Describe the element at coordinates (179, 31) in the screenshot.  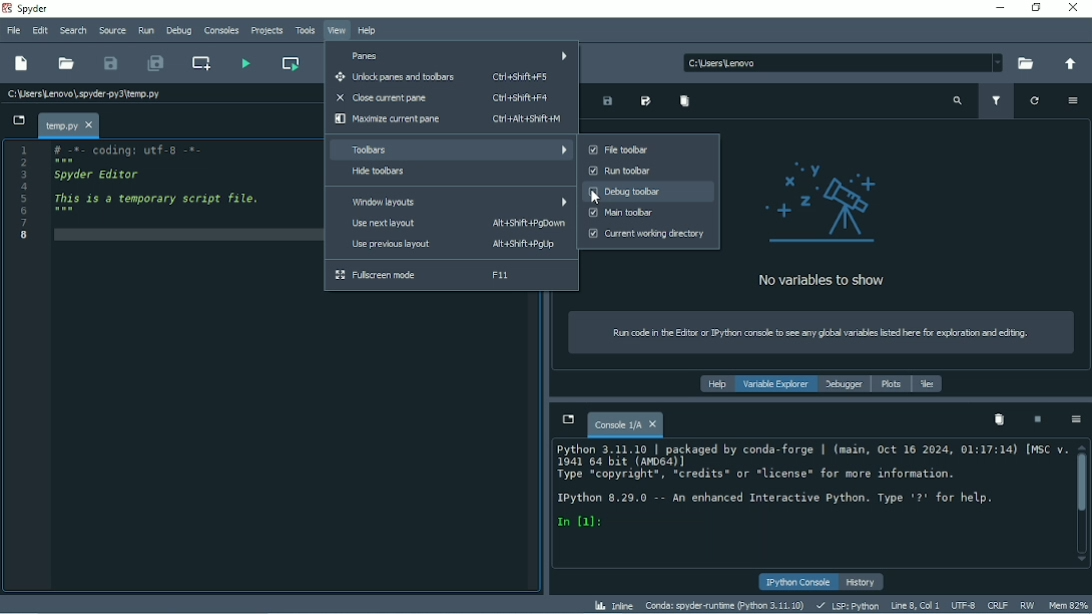
I see `Debug` at that location.